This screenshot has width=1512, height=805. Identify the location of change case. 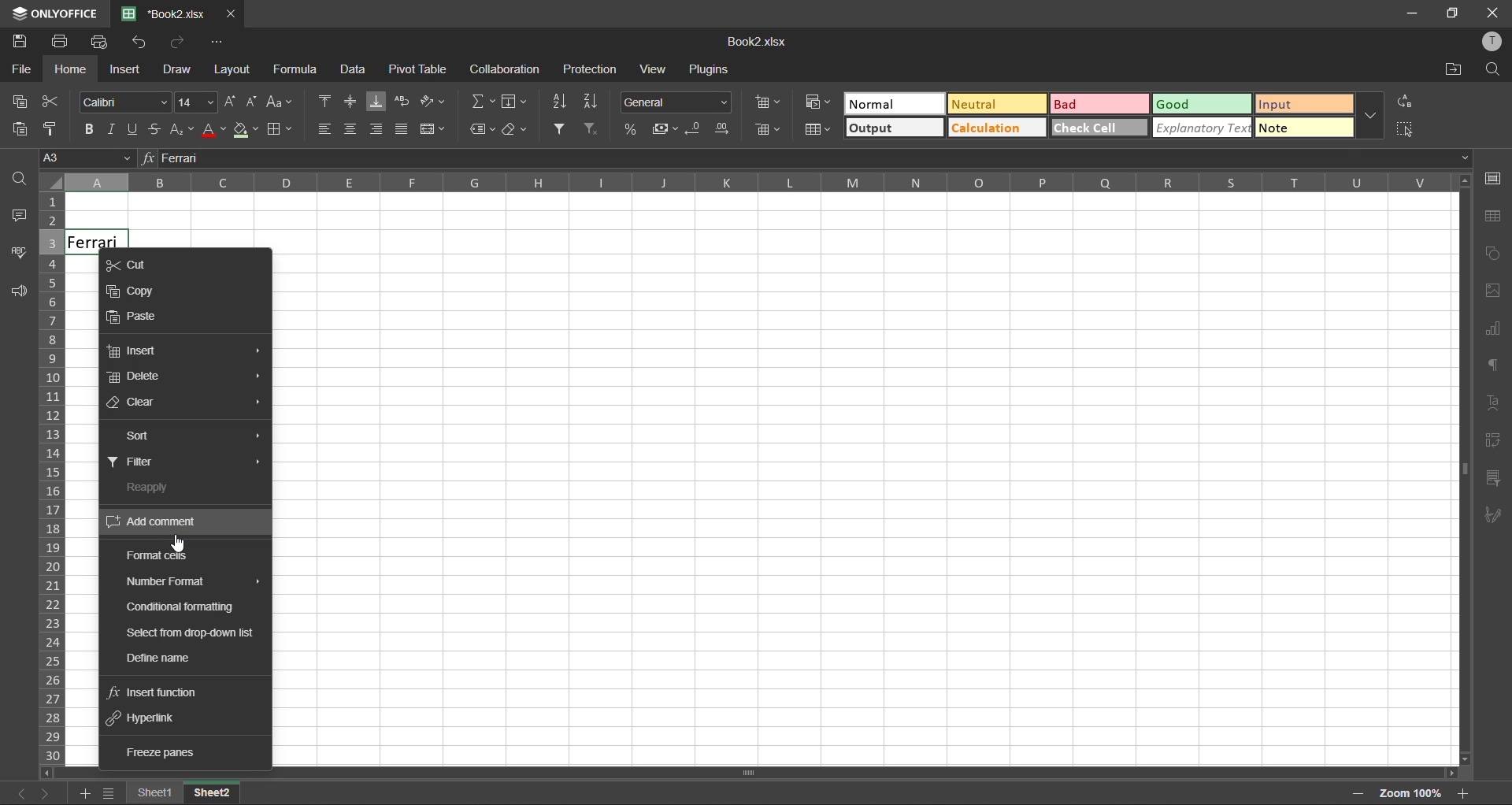
(279, 103).